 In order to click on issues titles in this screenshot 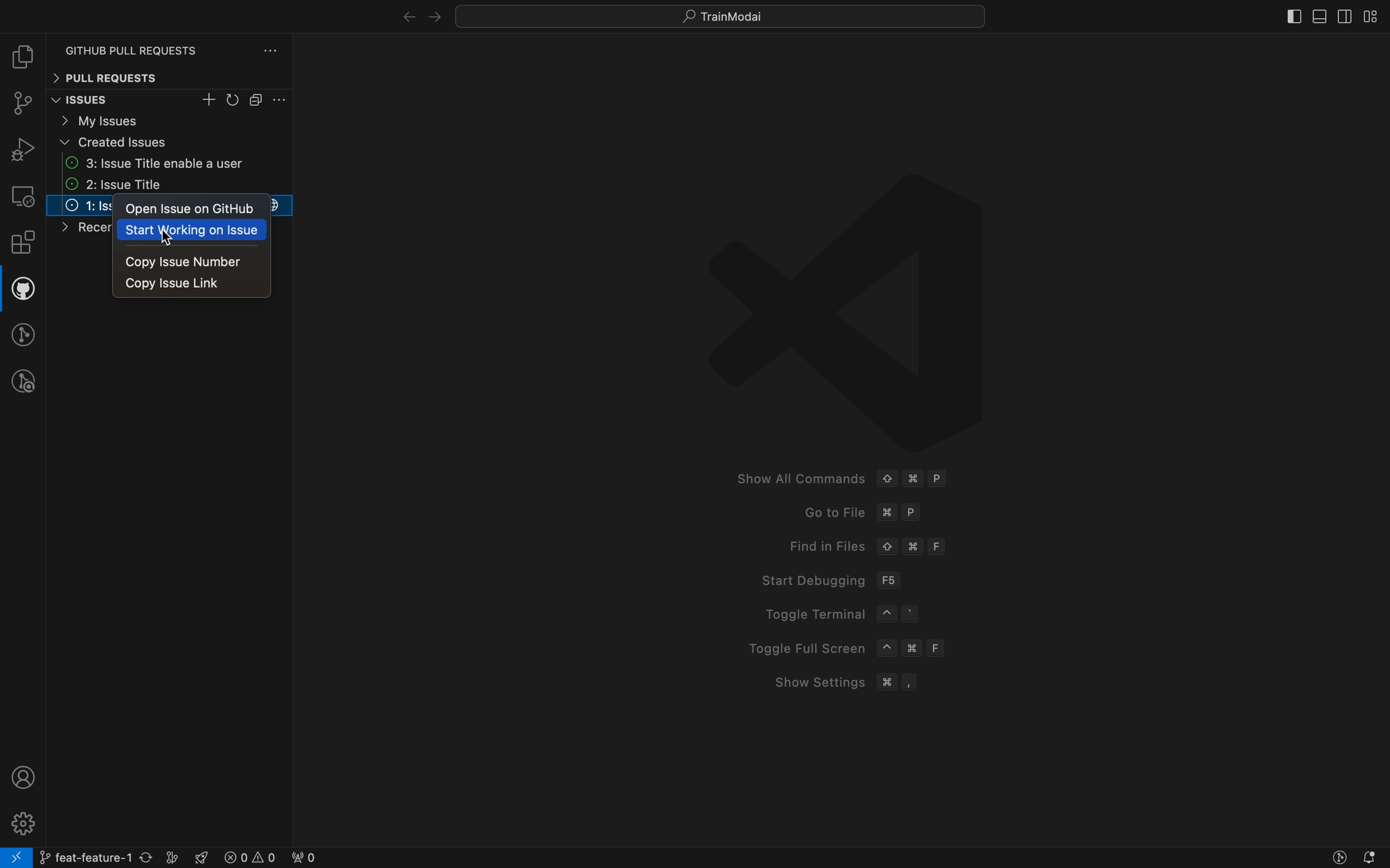, I will do `click(80, 205)`.